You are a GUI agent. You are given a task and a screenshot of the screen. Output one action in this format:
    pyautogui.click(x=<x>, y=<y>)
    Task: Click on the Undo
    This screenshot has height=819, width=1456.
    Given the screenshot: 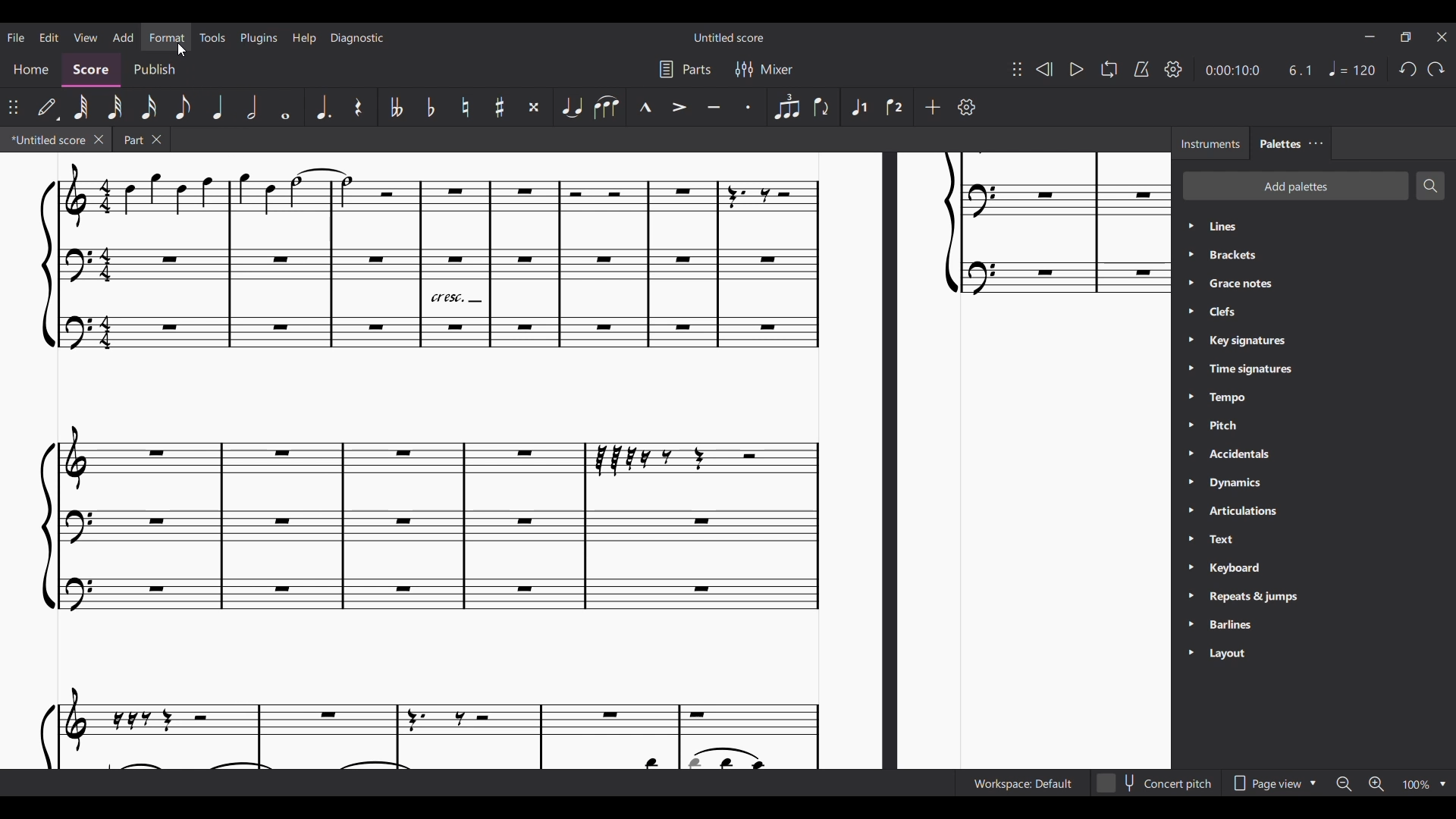 What is the action you would take?
    pyautogui.click(x=1407, y=70)
    